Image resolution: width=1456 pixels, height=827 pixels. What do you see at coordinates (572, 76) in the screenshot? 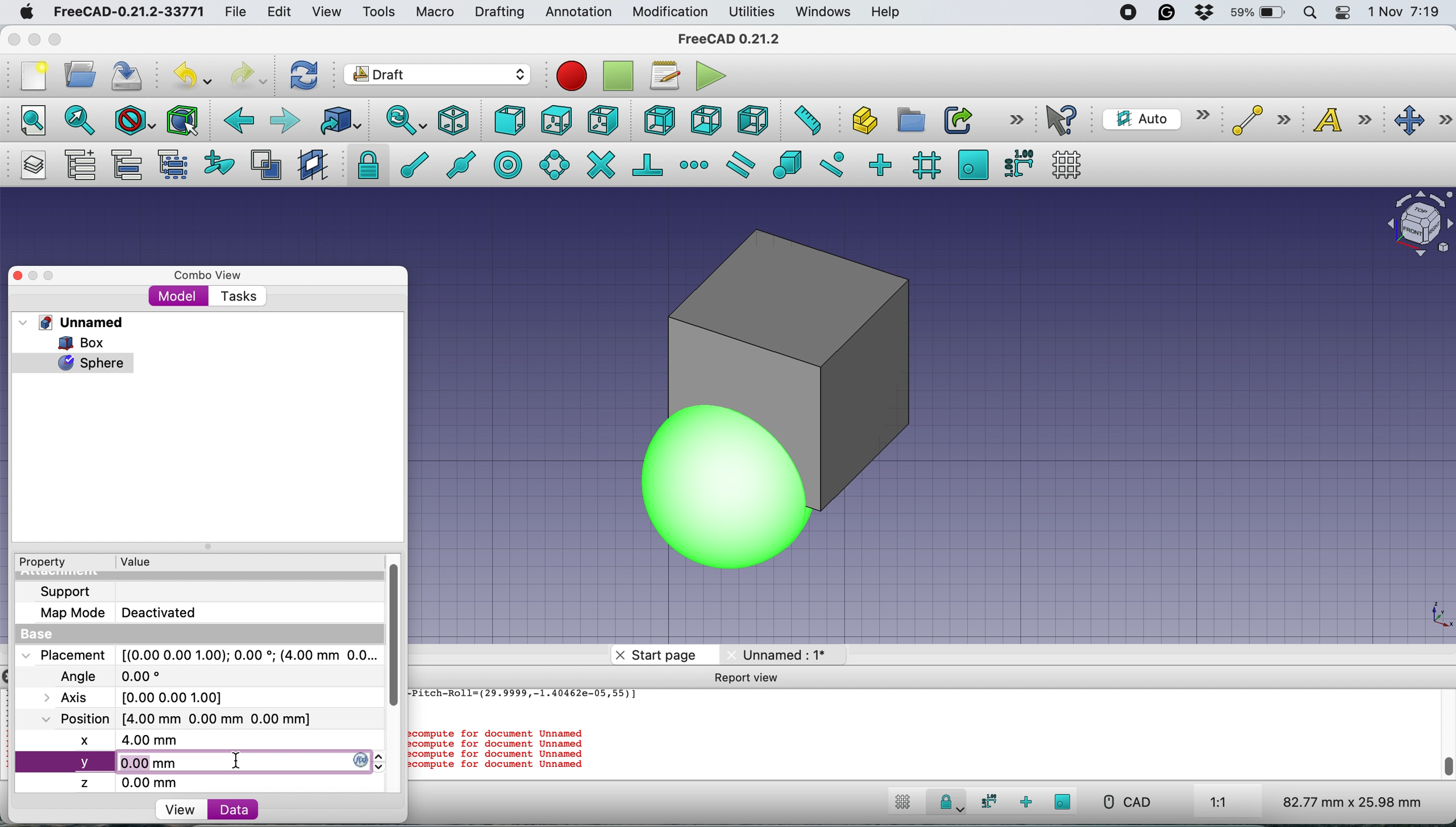
I see `record macros` at bounding box center [572, 76].